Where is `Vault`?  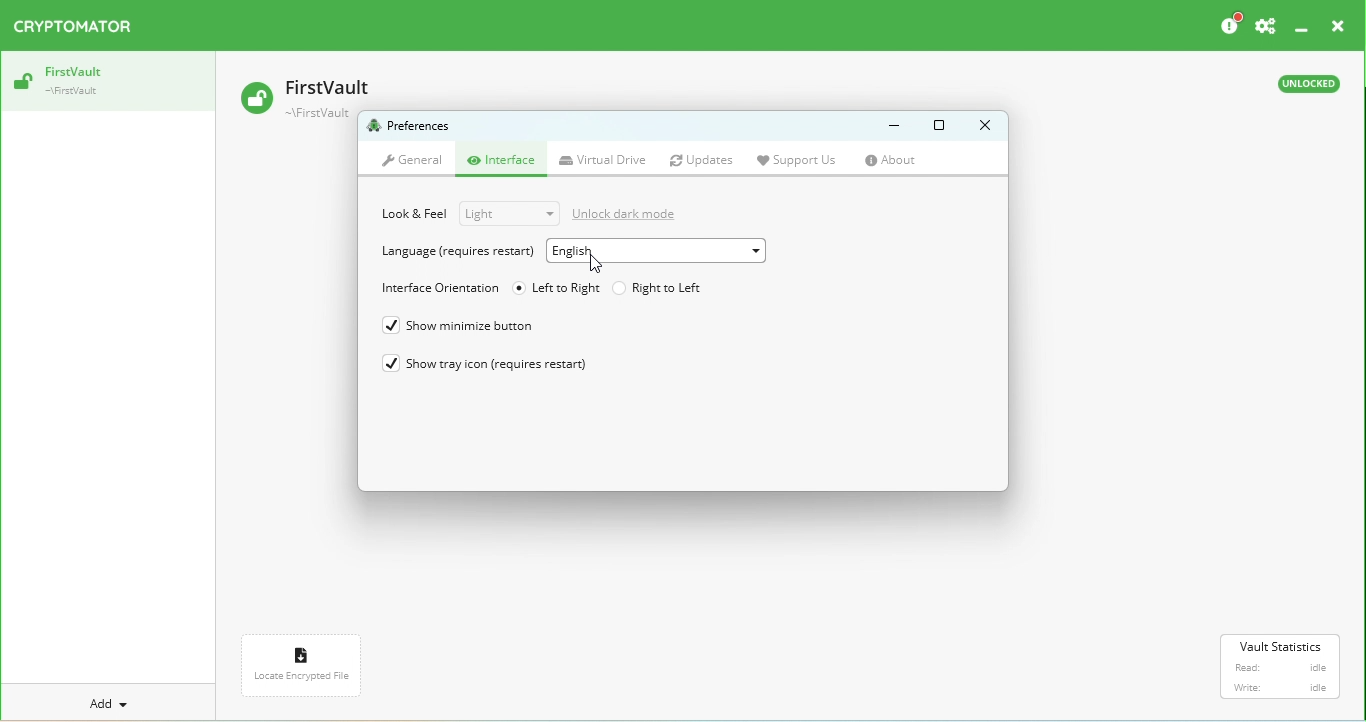 Vault is located at coordinates (105, 82).